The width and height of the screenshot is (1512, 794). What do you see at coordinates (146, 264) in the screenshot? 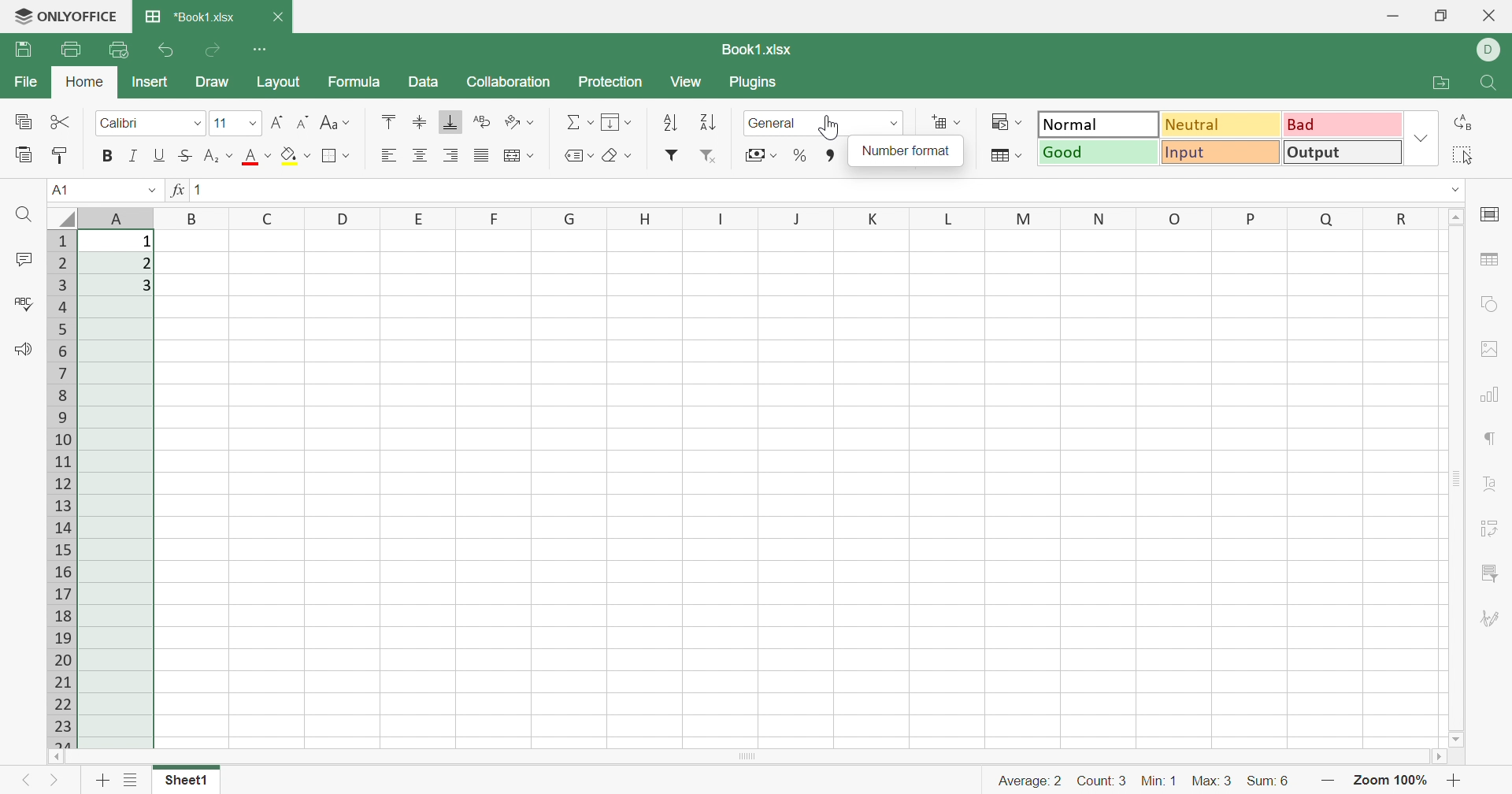
I see `2` at bounding box center [146, 264].